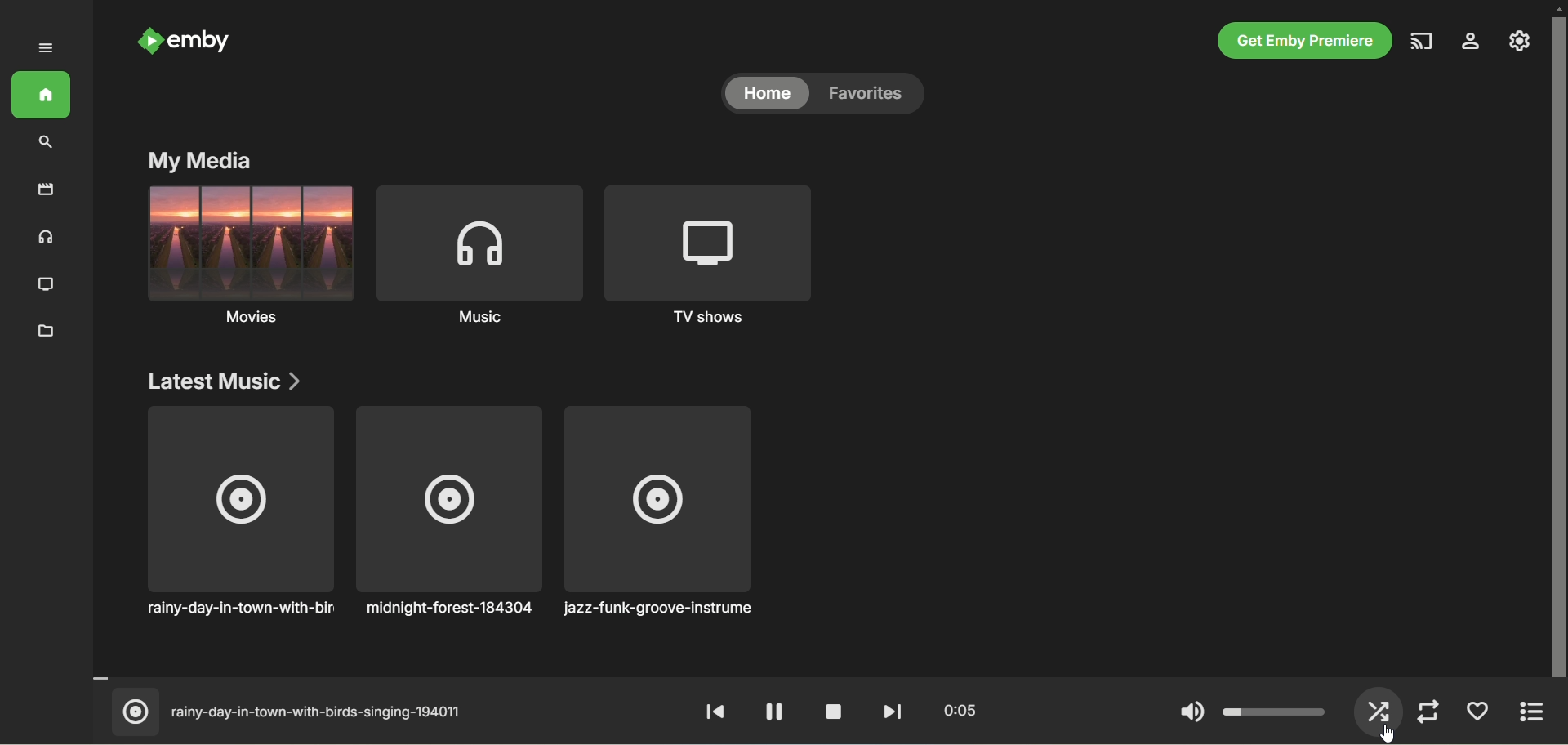  What do you see at coordinates (816, 677) in the screenshot?
I see `timeline` at bounding box center [816, 677].